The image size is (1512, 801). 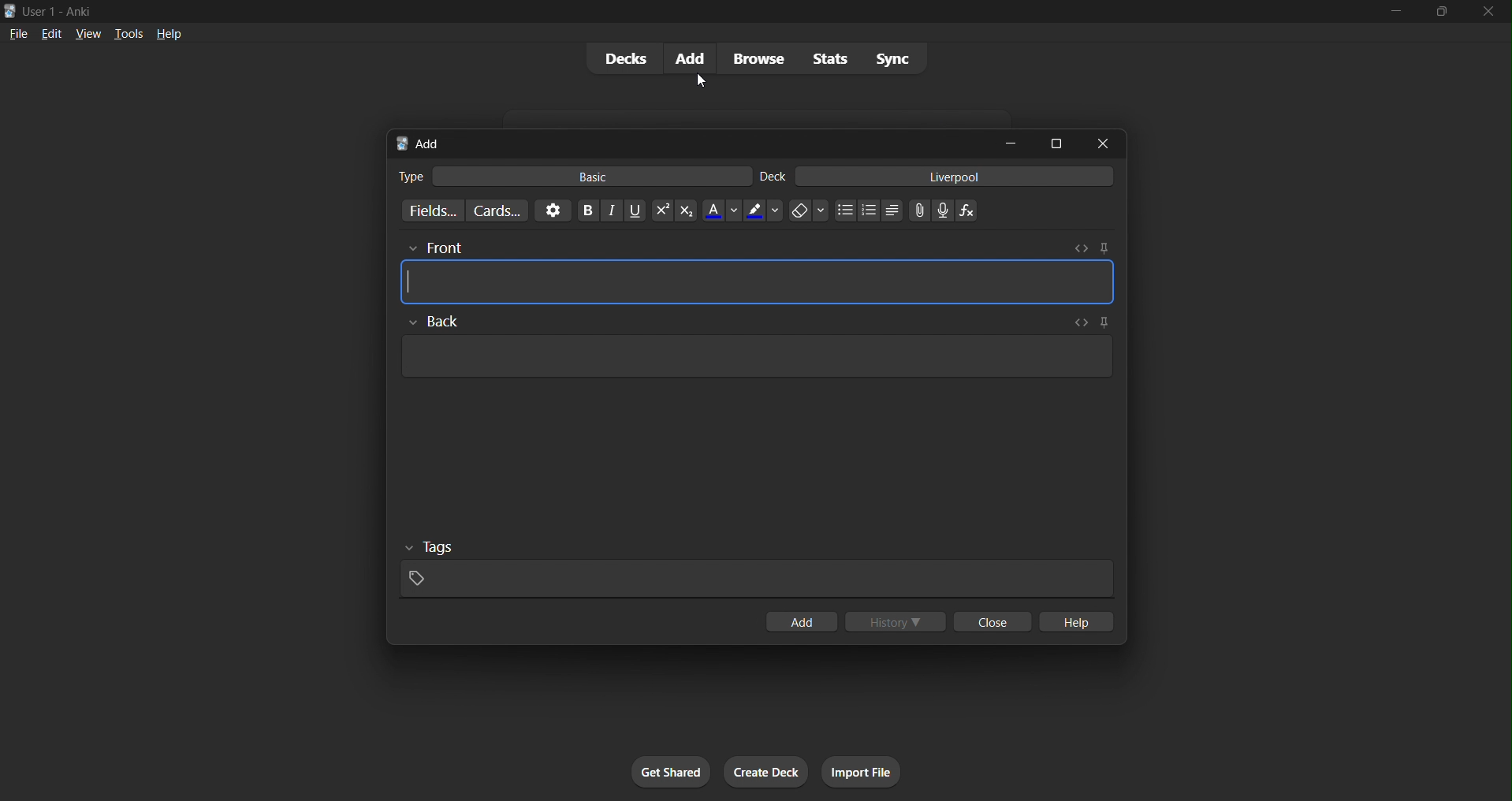 What do you see at coordinates (620, 58) in the screenshot?
I see `decks` at bounding box center [620, 58].